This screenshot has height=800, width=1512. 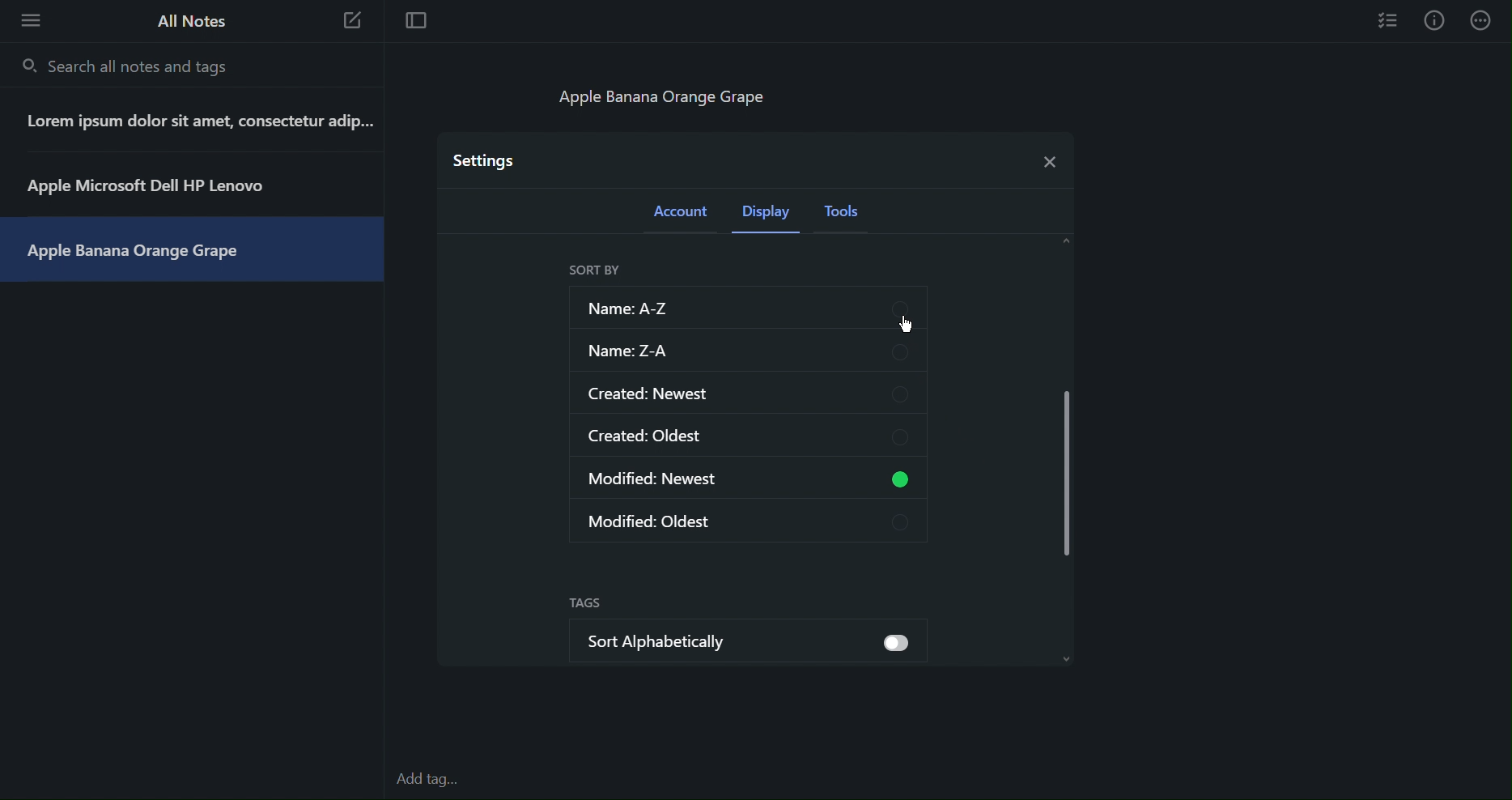 What do you see at coordinates (594, 270) in the screenshot?
I see `Sort By` at bounding box center [594, 270].